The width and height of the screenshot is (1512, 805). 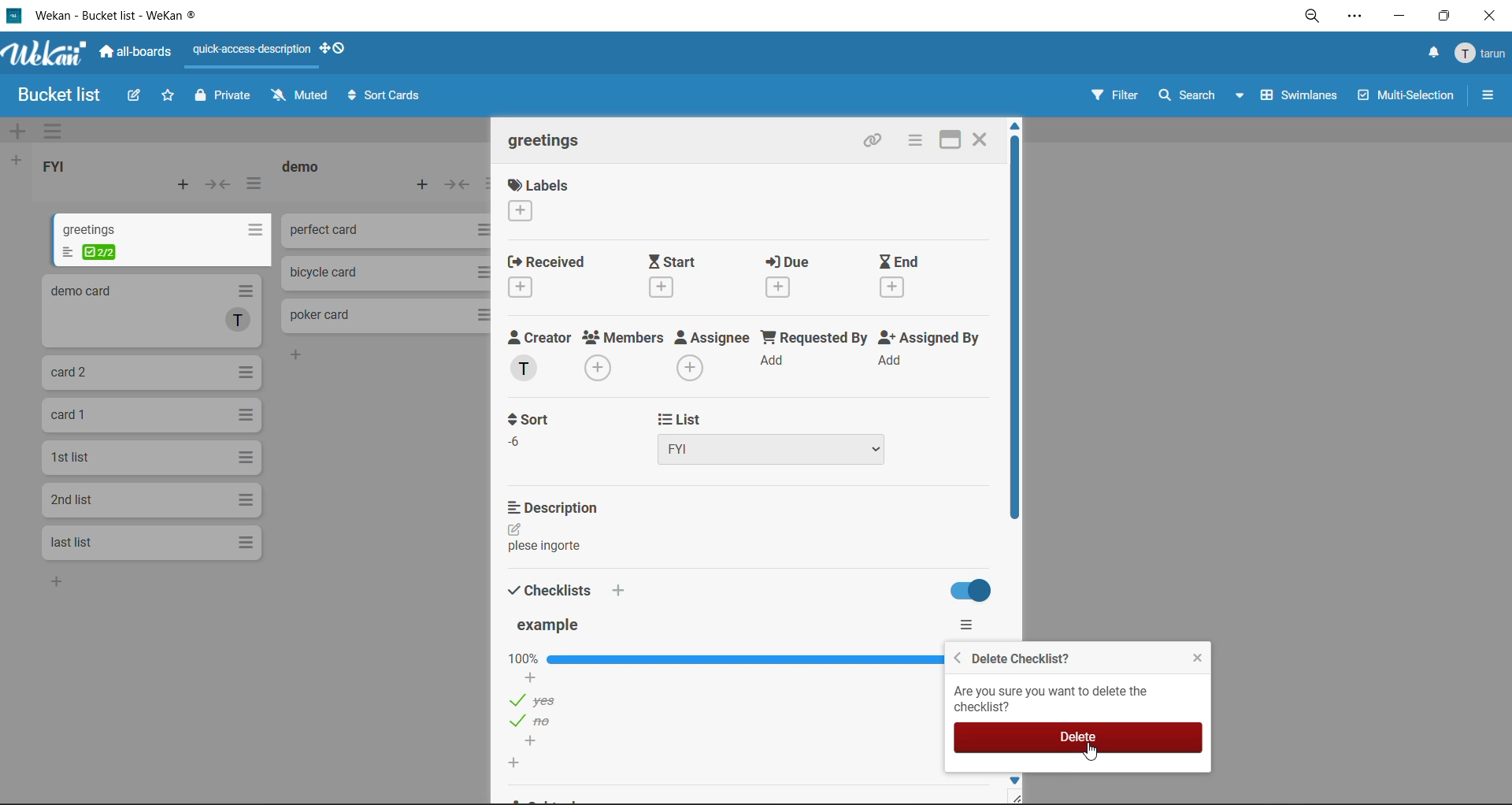 I want to click on list, so click(x=787, y=436).